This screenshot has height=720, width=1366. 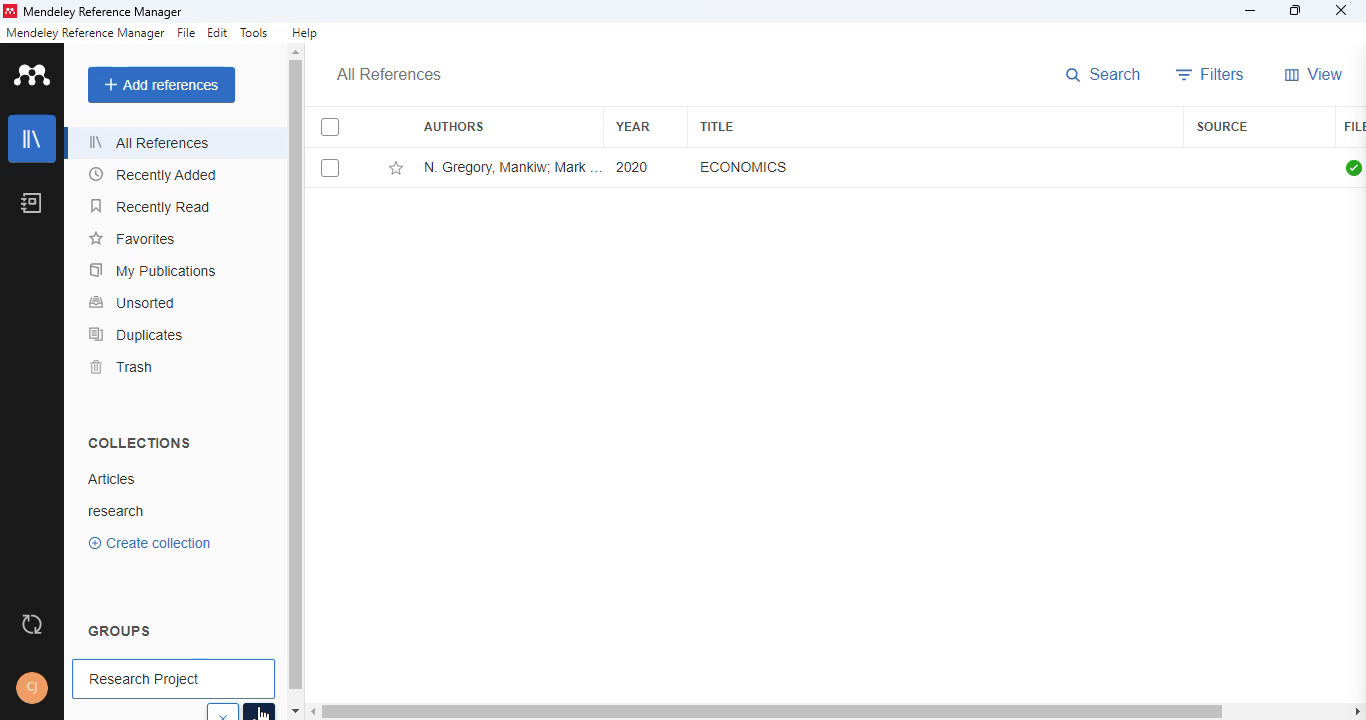 I want to click on cancel, so click(x=223, y=711).